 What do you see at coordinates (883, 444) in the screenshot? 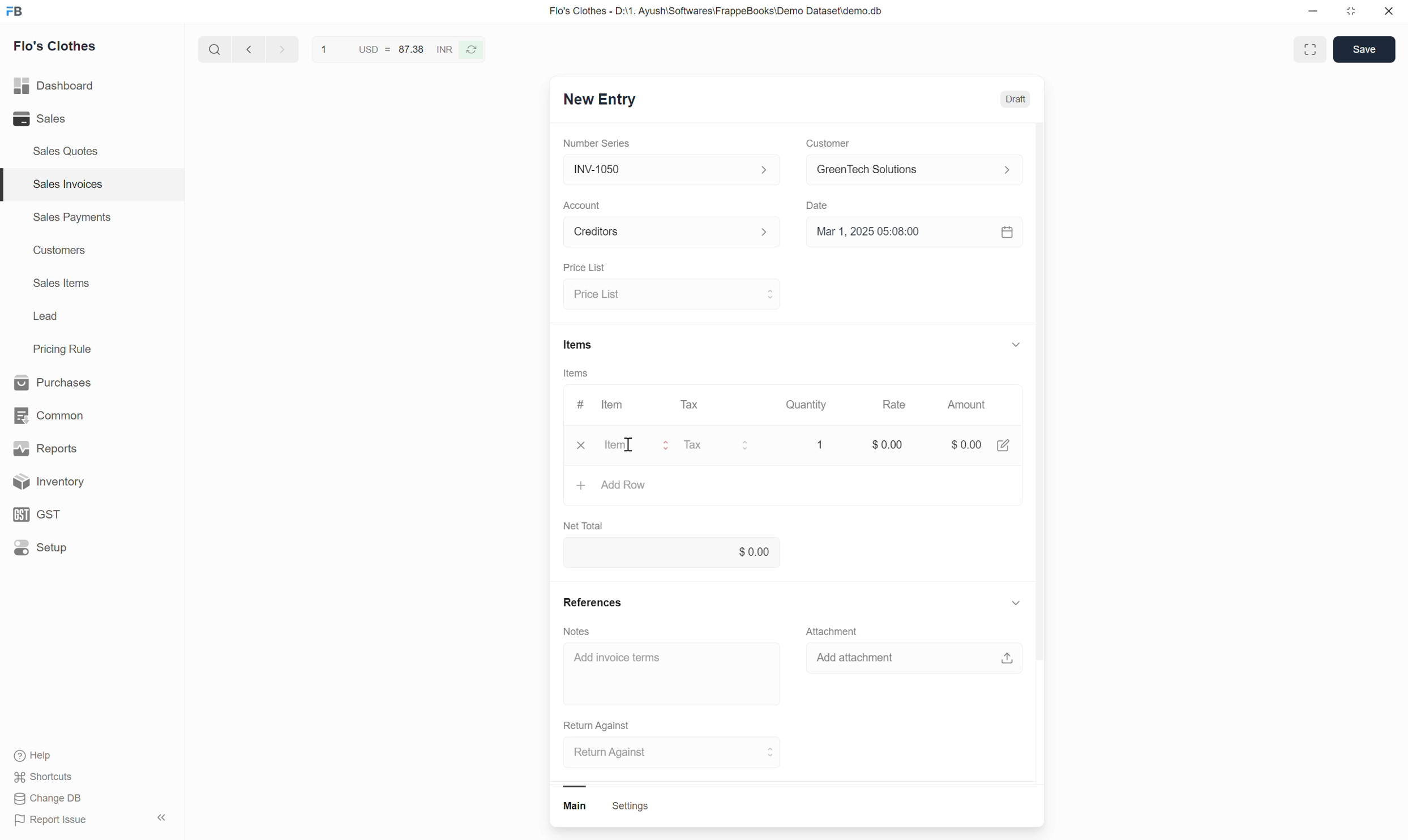
I see `rate ` at bounding box center [883, 444].